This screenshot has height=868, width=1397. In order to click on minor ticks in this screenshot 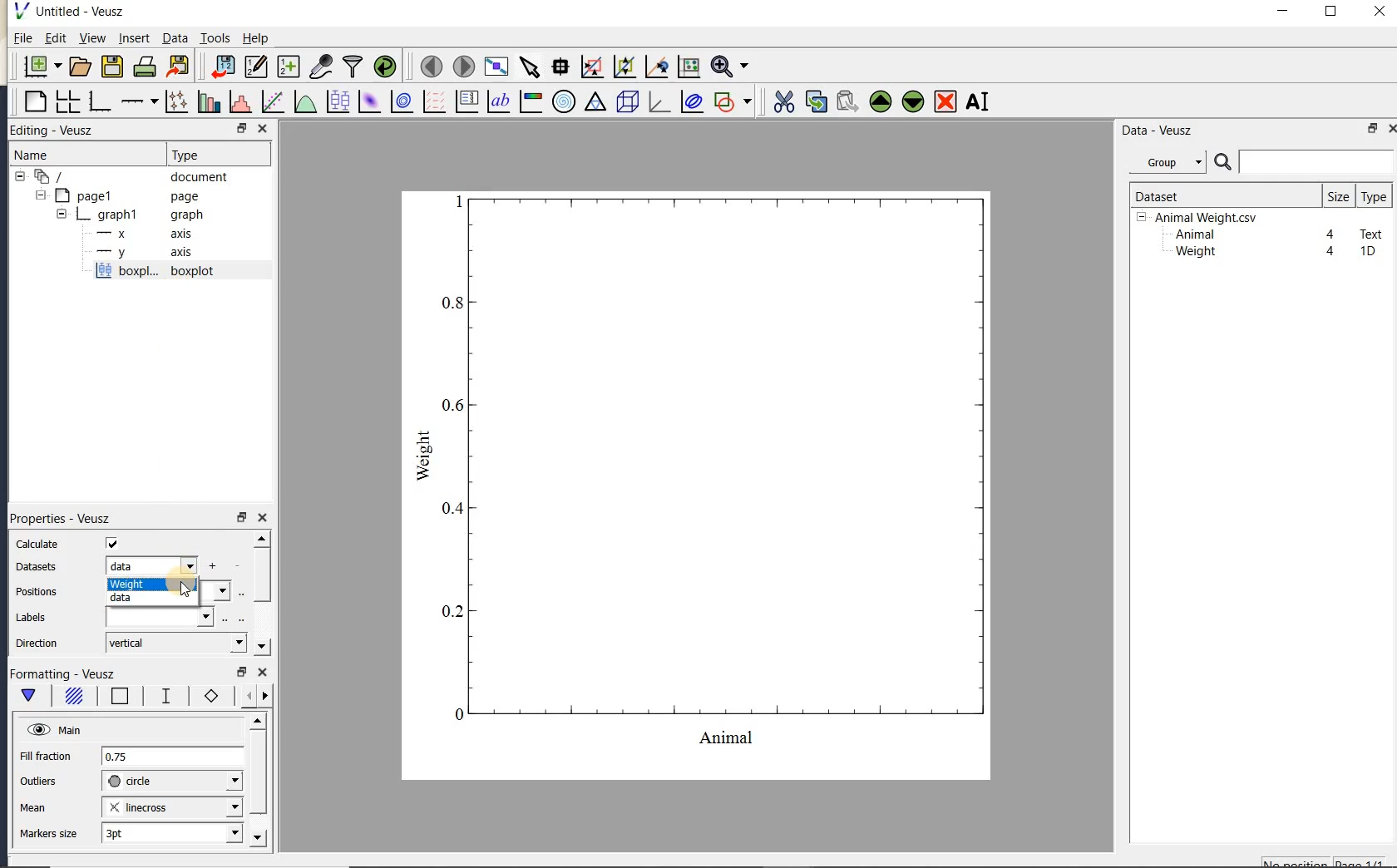, I will do `click(251, 696)`.